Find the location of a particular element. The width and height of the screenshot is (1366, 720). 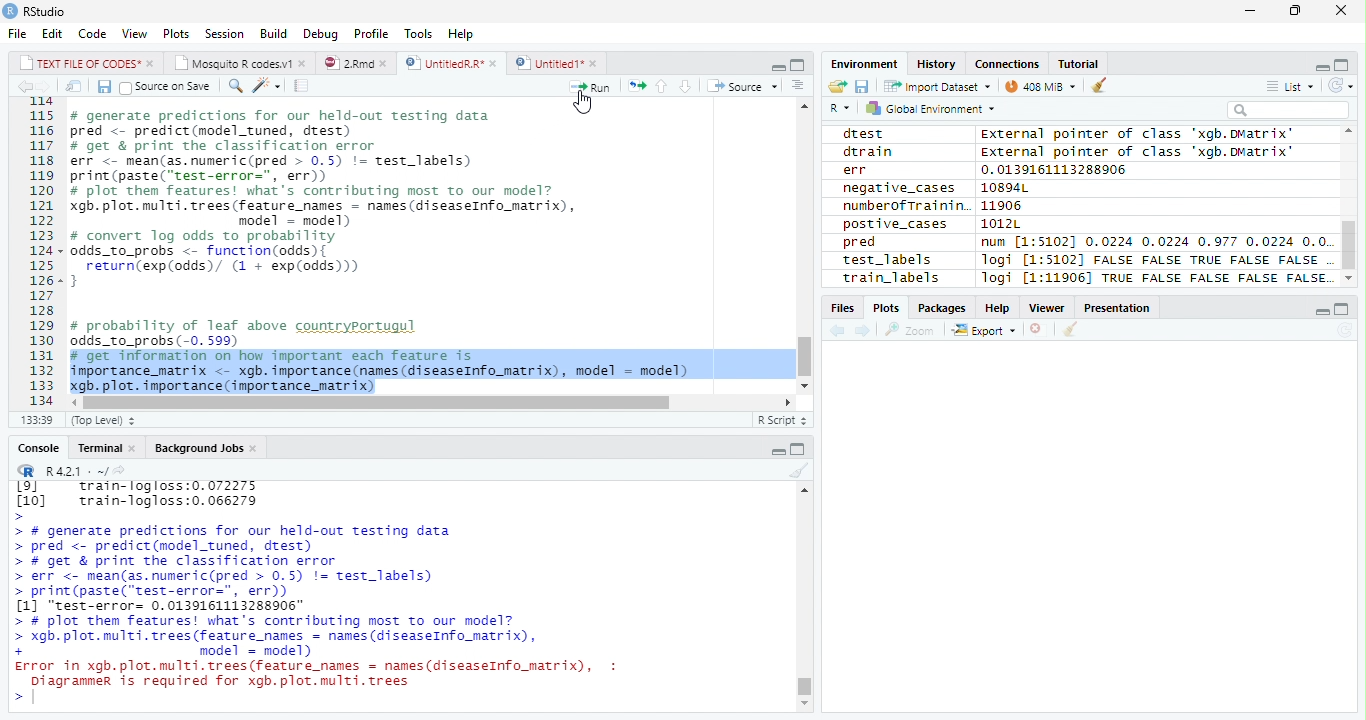

Scroll is located at coordinates (805, 245).